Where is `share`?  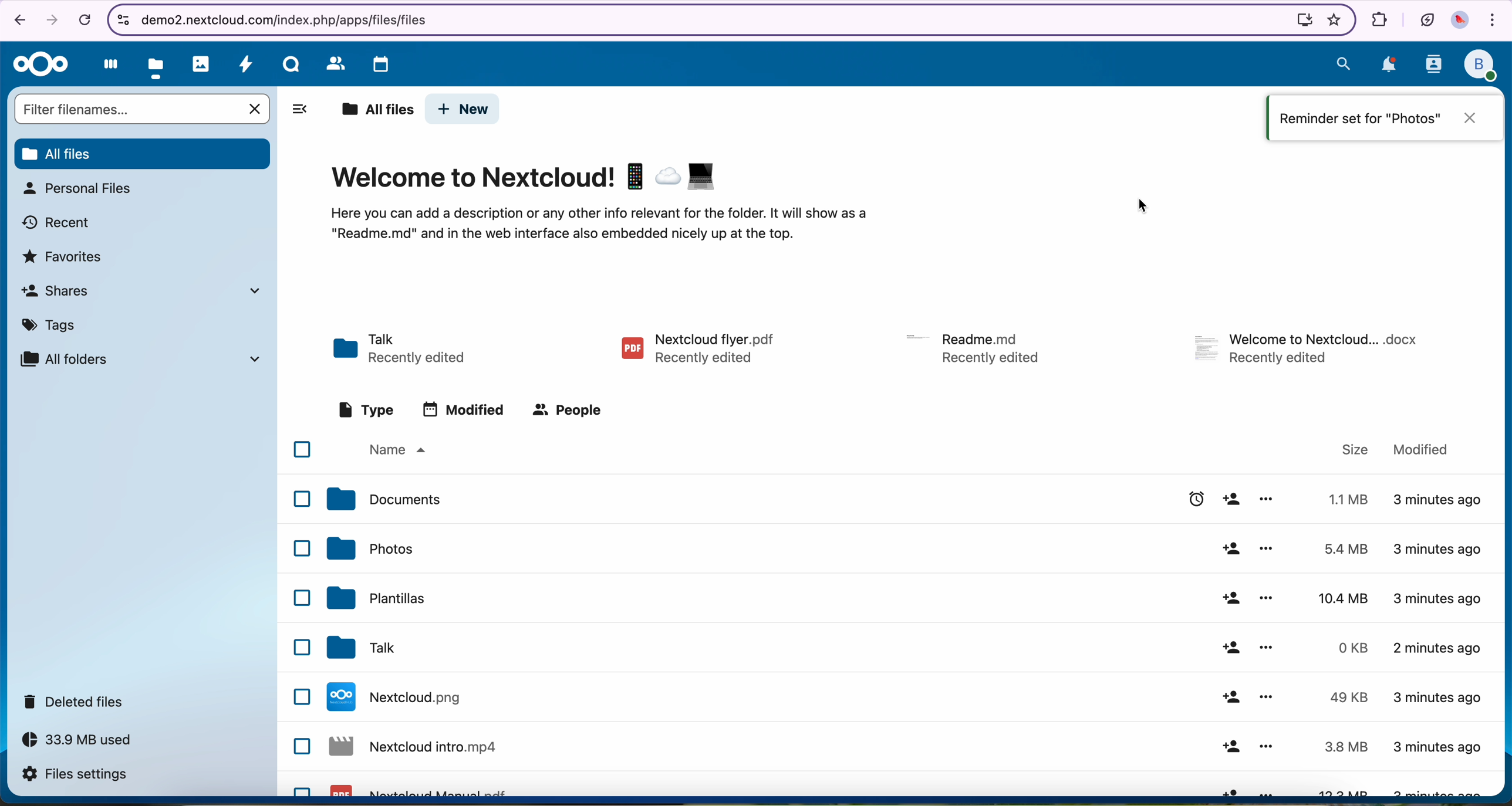 share is located at coordinates (1228, 697).